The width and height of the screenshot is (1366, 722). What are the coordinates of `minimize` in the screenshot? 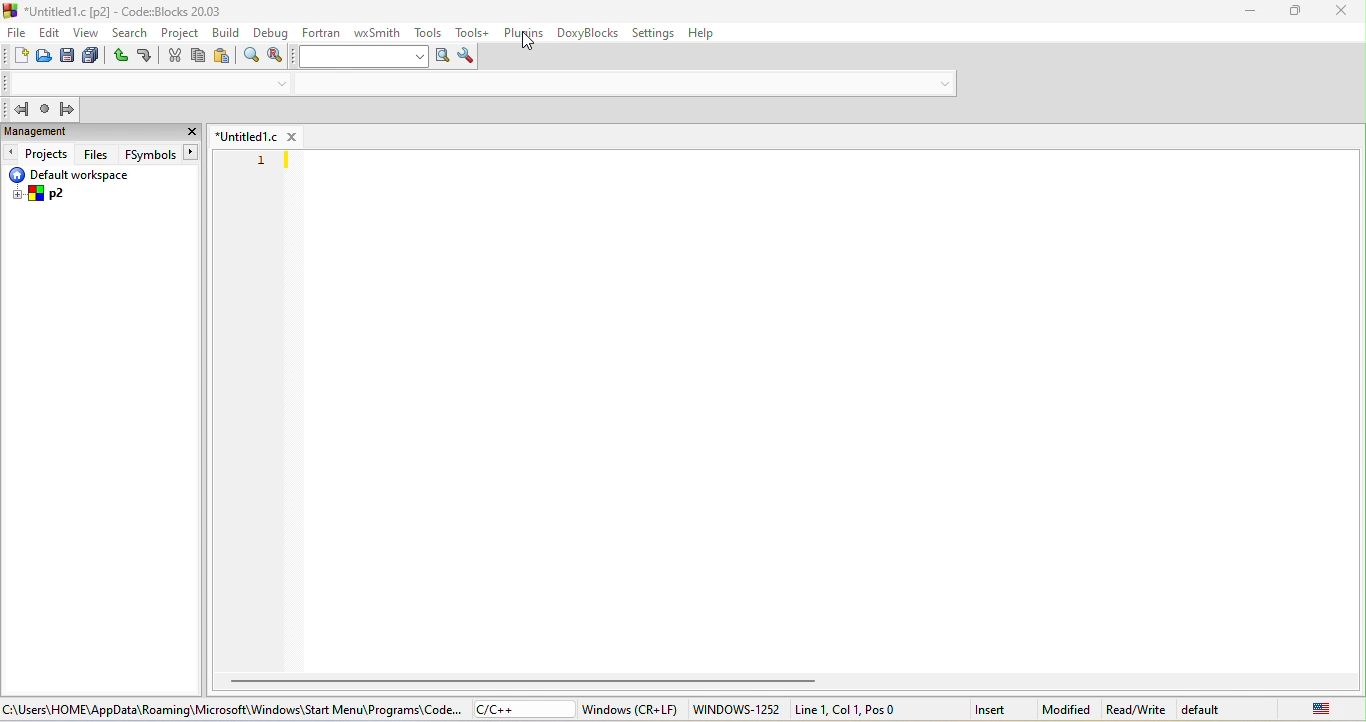 It's located at (1250, 14).